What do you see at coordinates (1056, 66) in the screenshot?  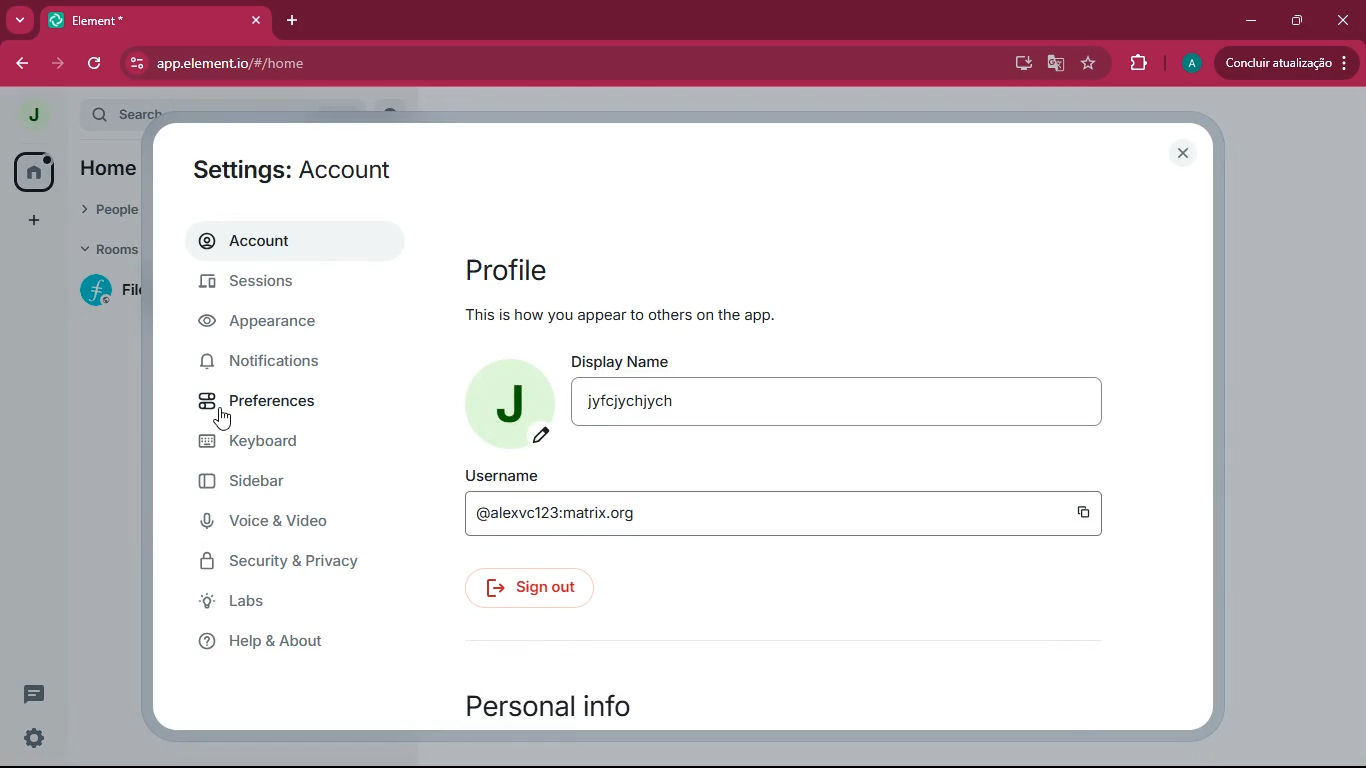 I see `google translate` at bounding box center [1056, 66].